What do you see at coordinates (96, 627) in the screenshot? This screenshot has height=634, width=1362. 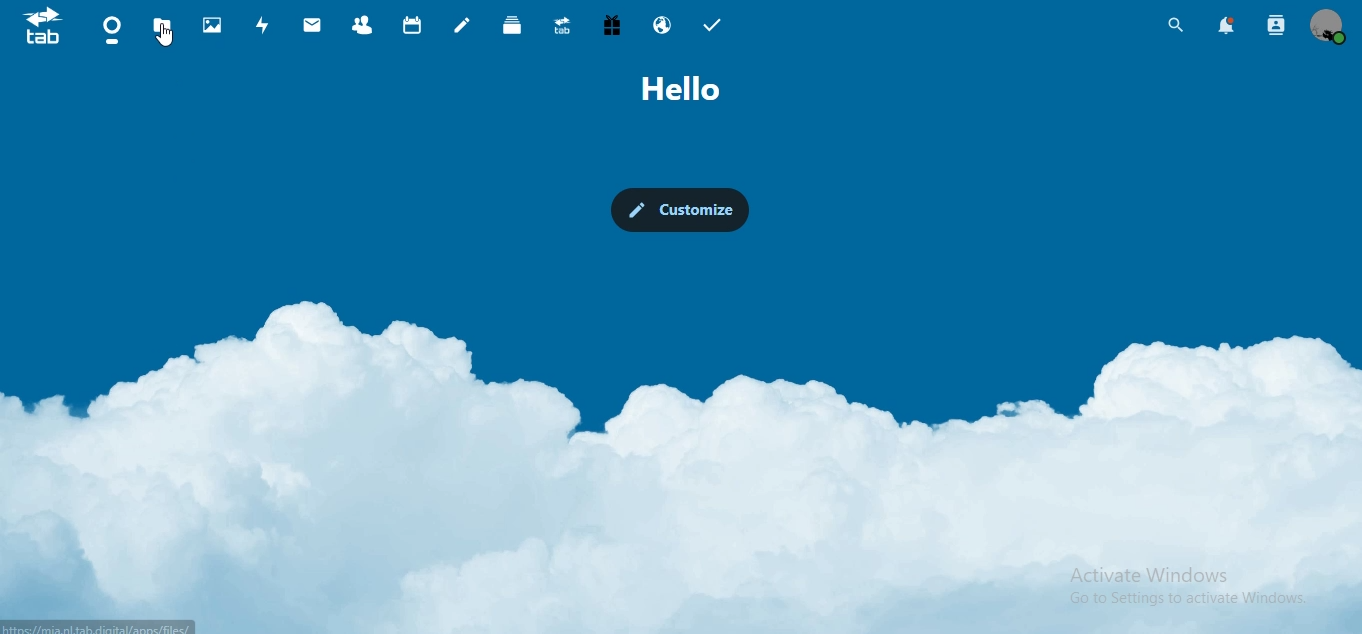 I see `link` at bounding box center [96, 627].